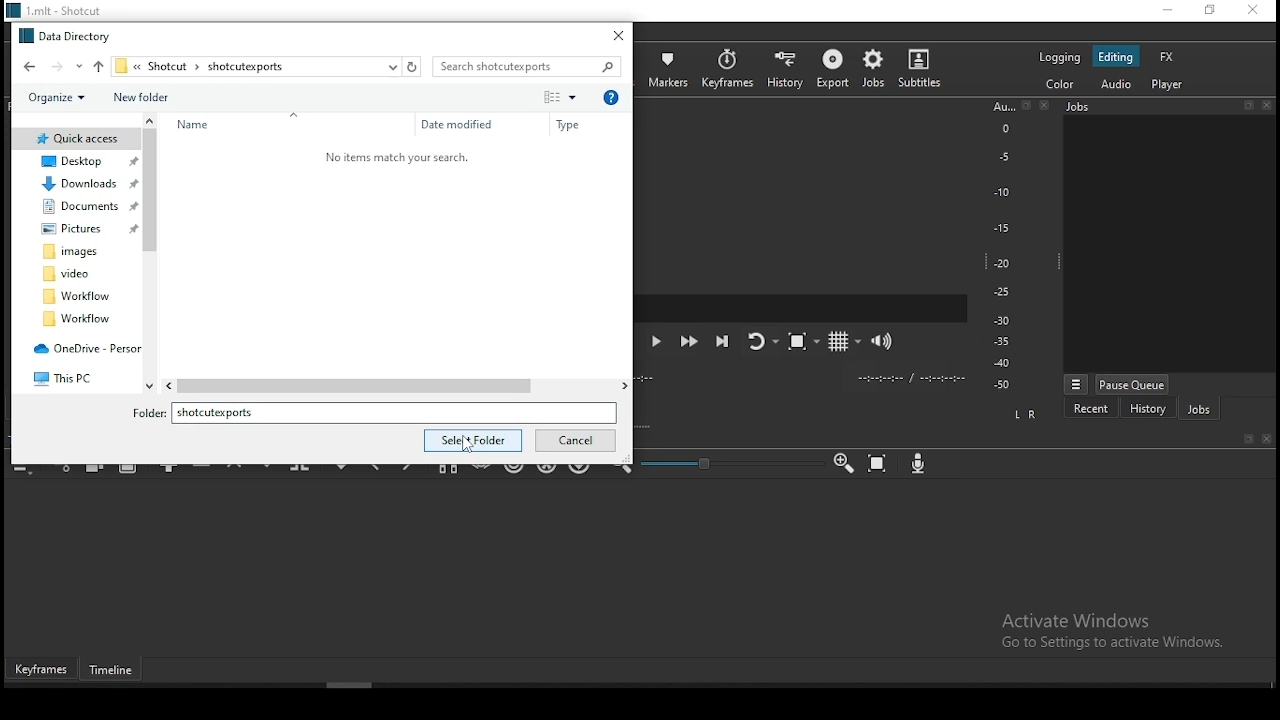  Describe the element at coordinates (1198, 408) in the screenshot. I see `jobs` at that location.